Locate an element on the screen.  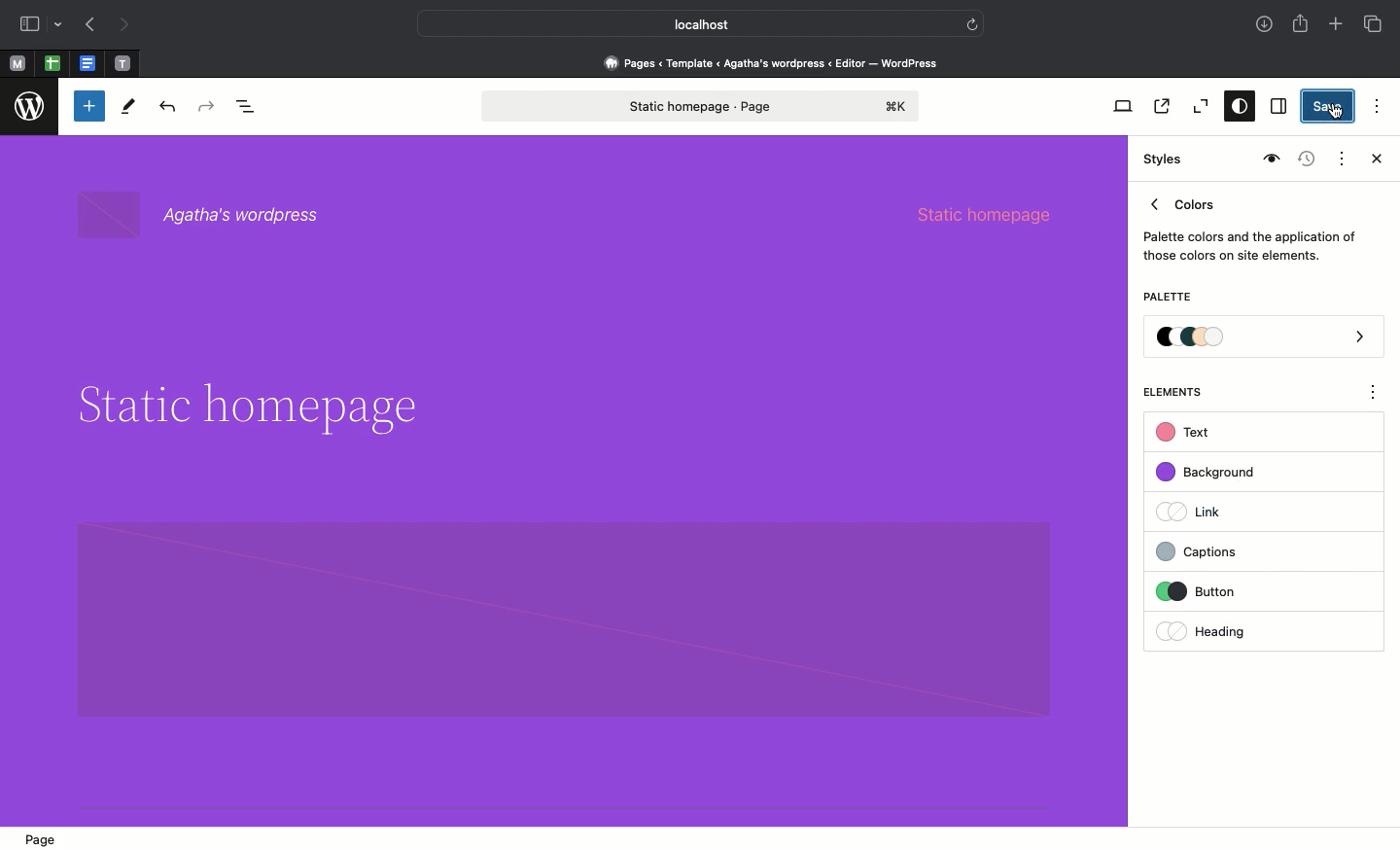
Colors is located at coordinates (1250, 226).